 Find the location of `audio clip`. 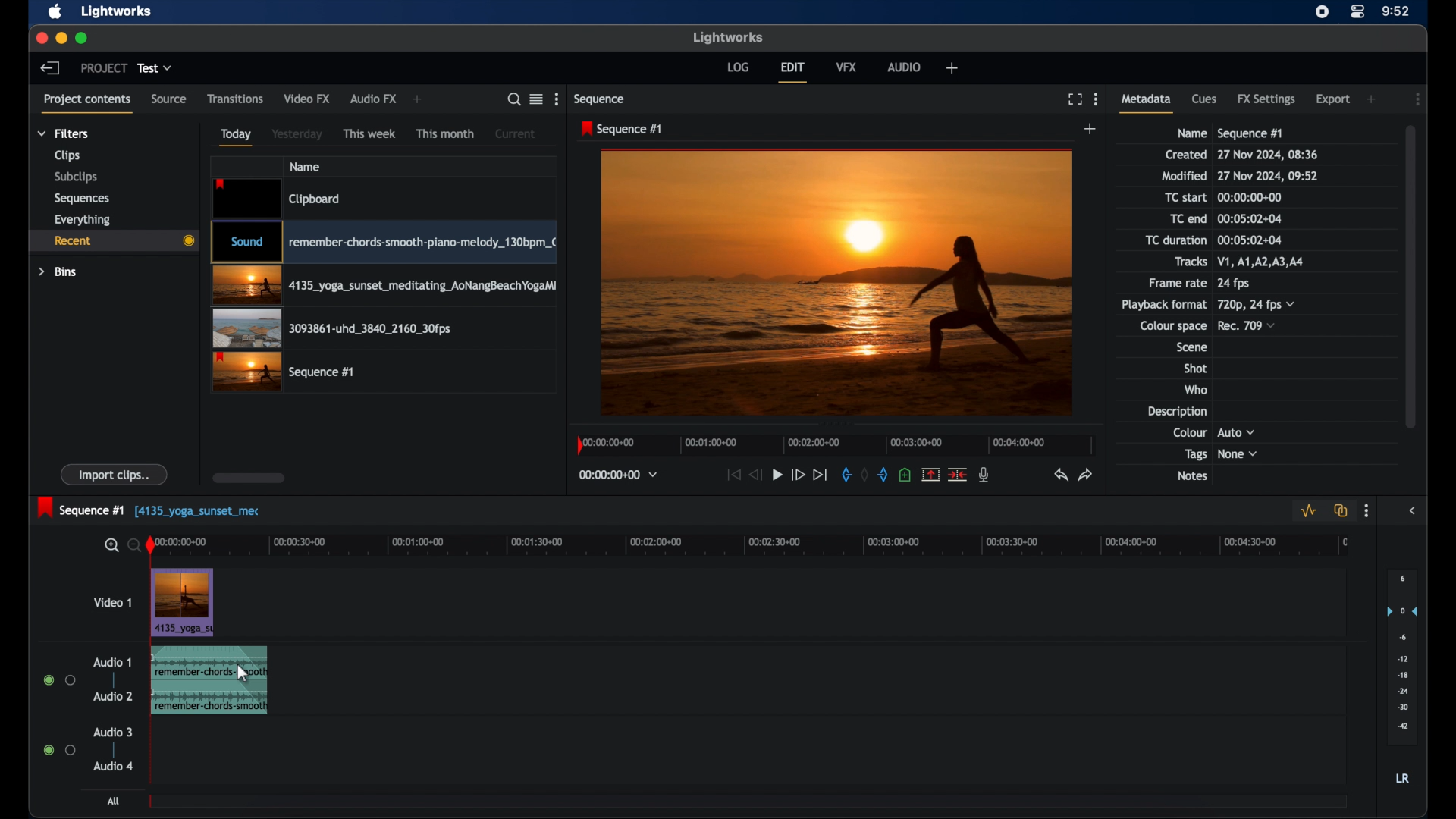

audio clip is located at coordinates (187, 682).